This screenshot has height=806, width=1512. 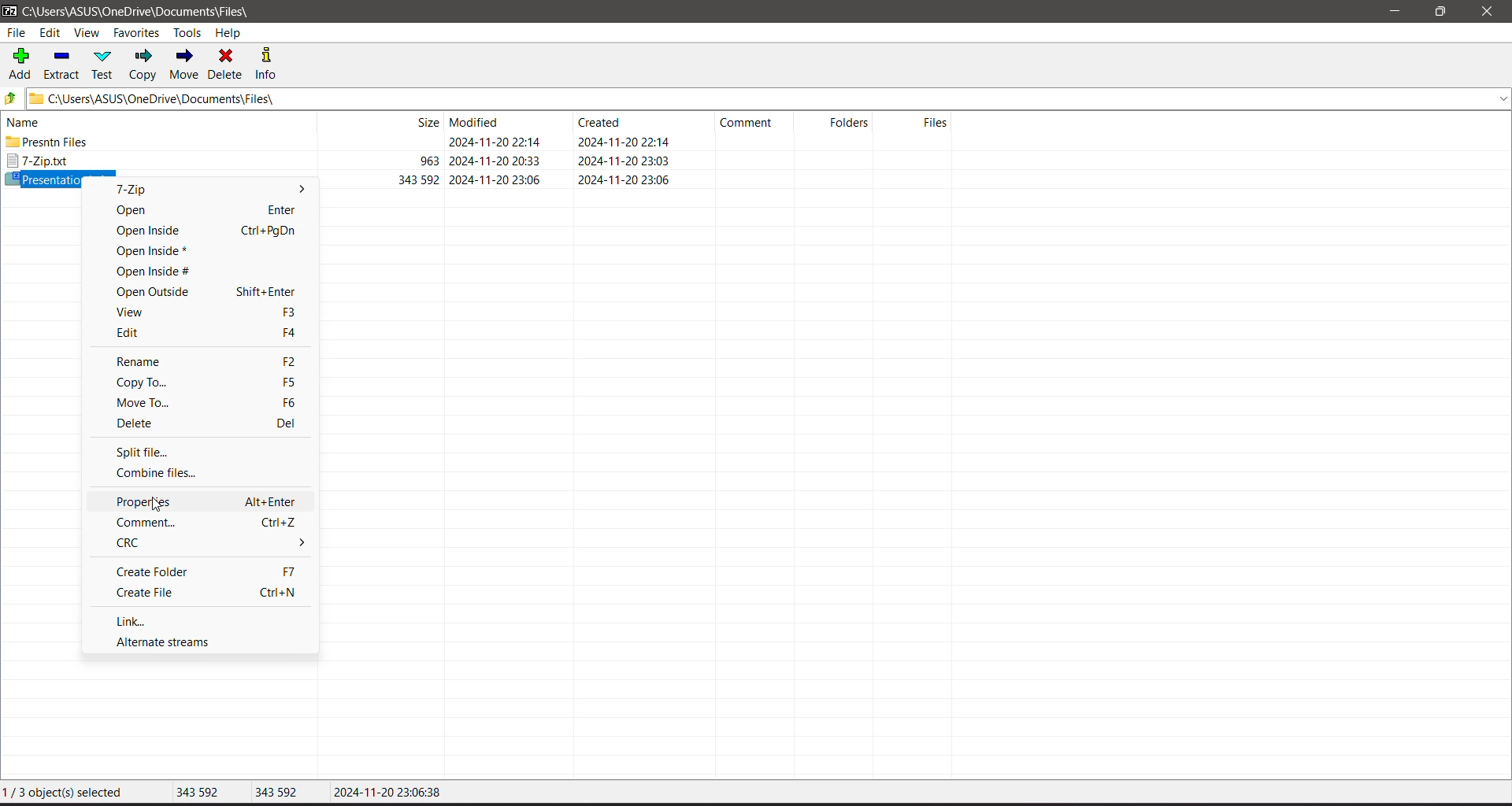 I want to click on Copy To, so click(x=190, y=382).